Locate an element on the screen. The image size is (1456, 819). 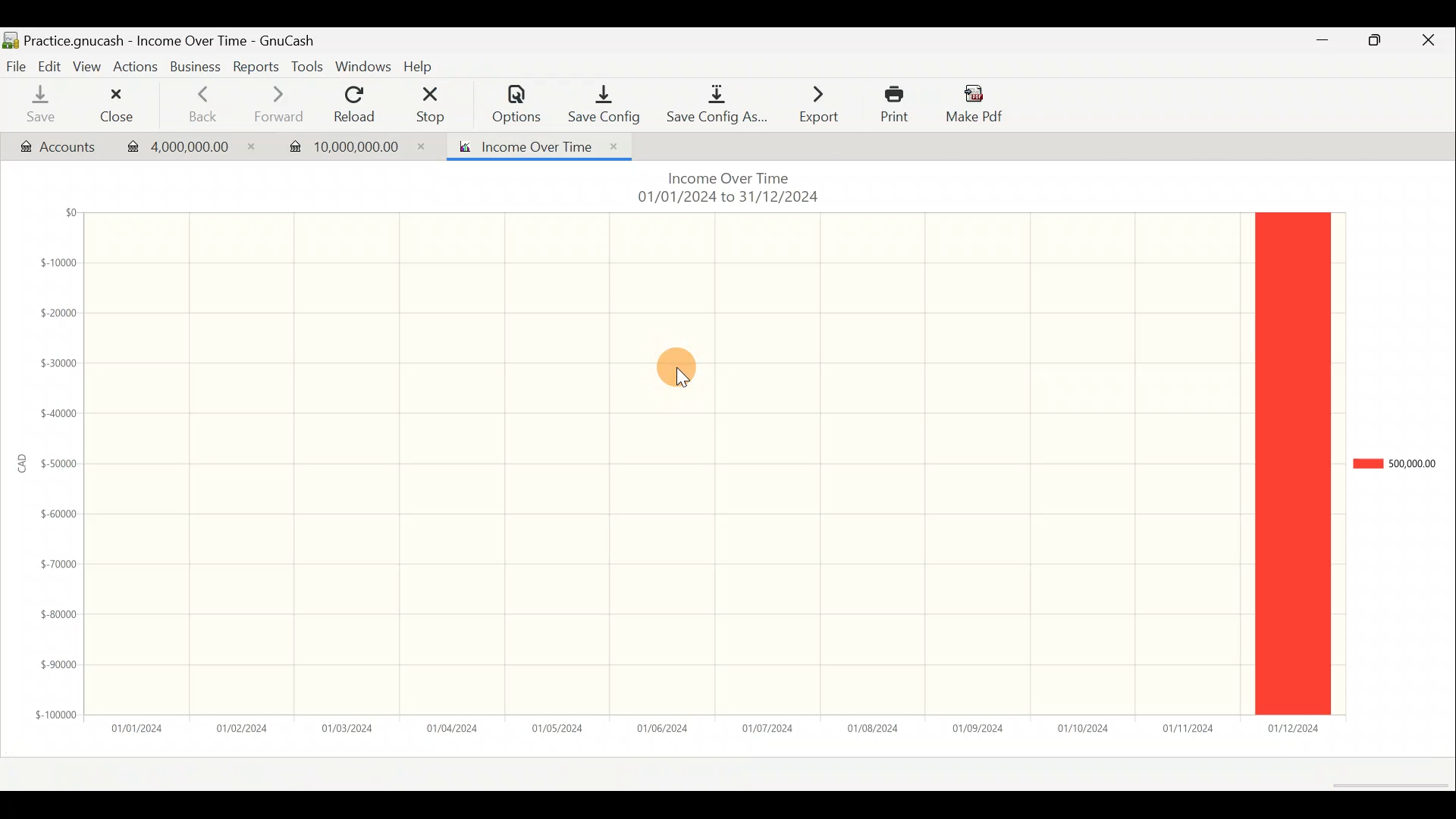
Windows is located at coordinates (366, 64).